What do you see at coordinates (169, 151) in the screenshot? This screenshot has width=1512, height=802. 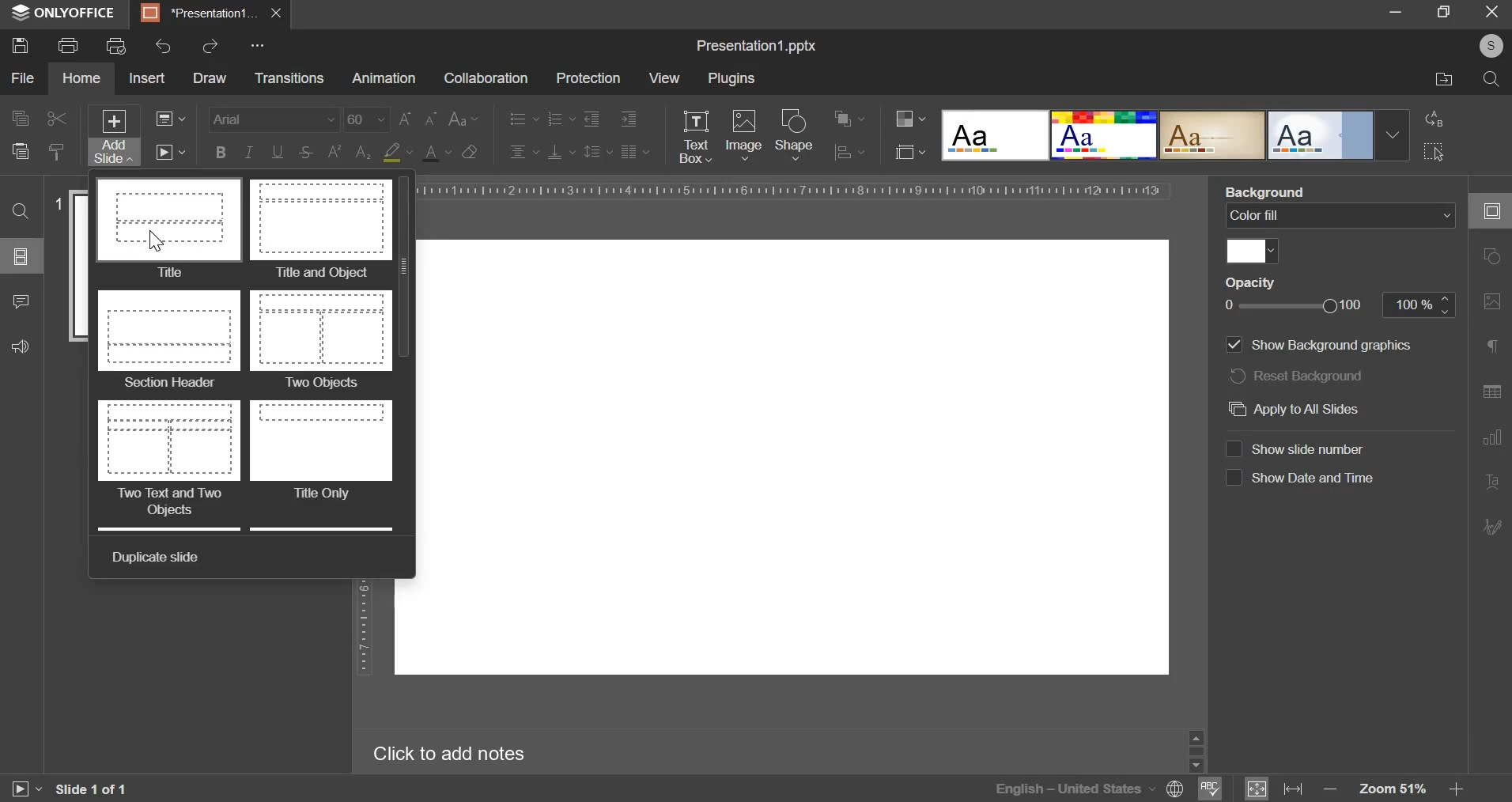 I see `slideshow` at bounding box center [169, 151].